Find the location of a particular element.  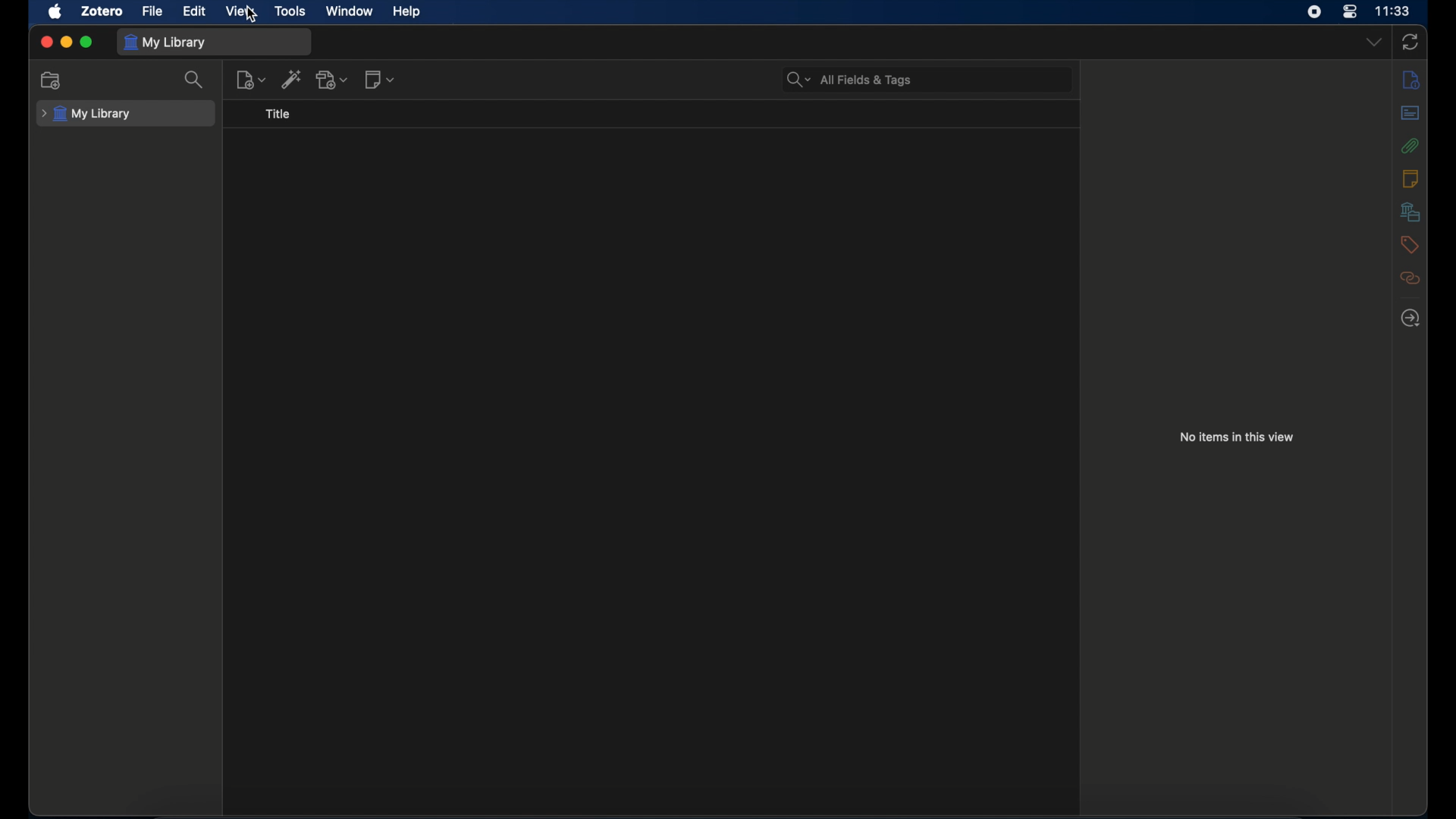

new note is located at coordinates (381, 80).